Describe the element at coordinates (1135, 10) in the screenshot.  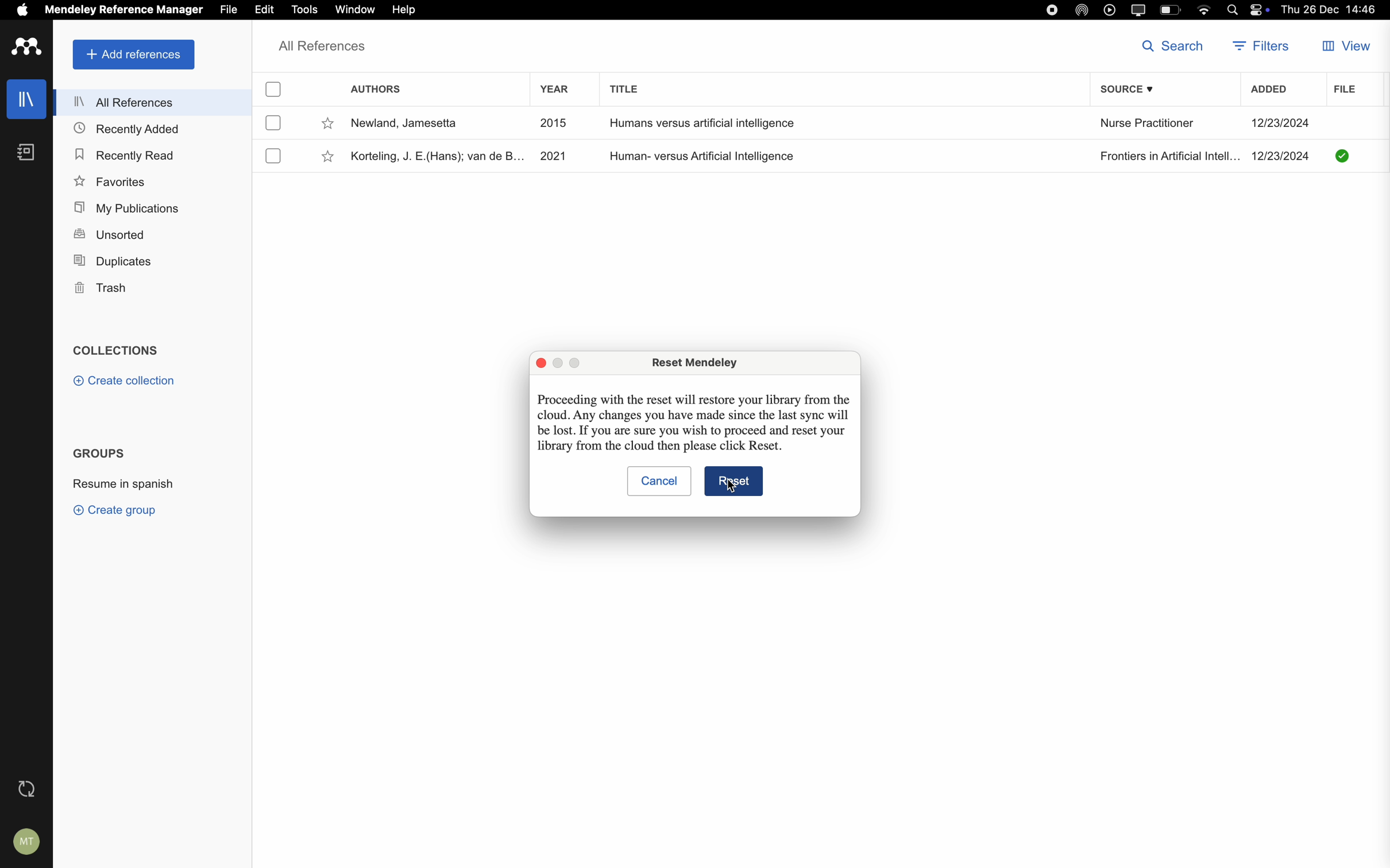
I see `screen` at that location.